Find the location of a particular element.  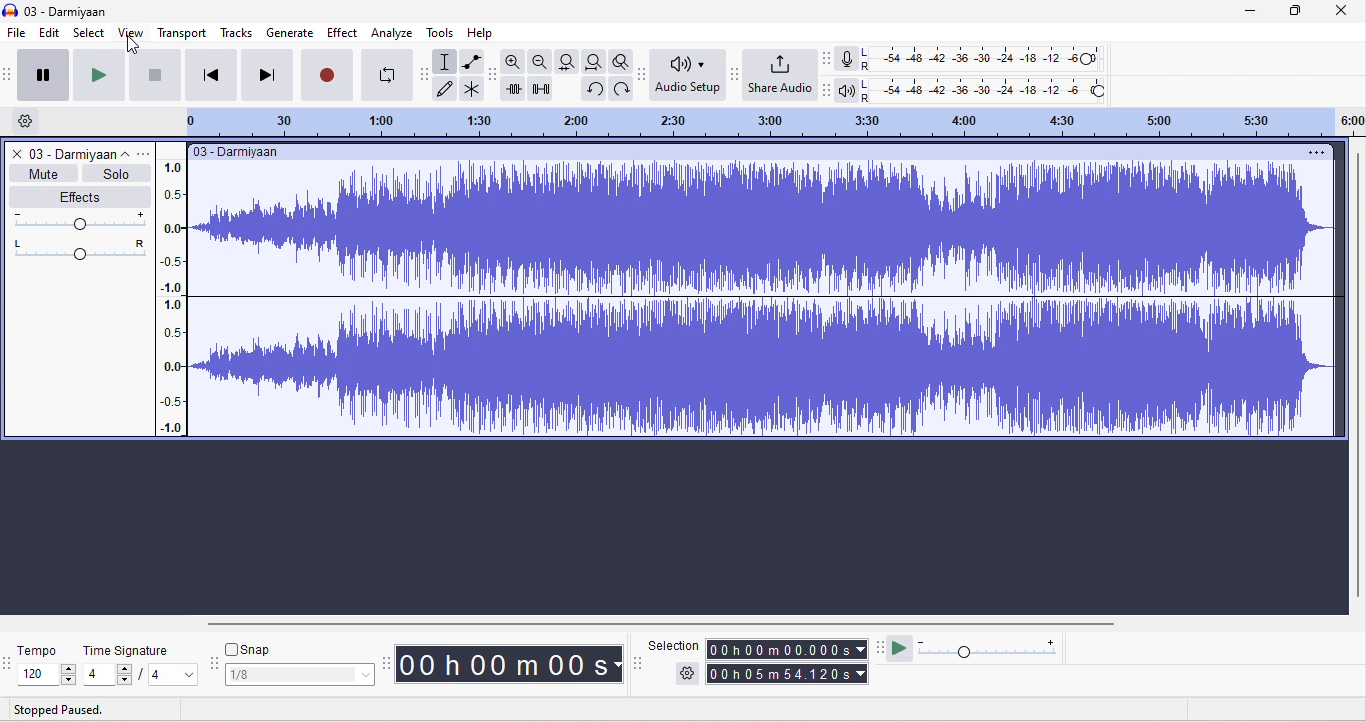

play at speed tool bar is located at coordinates (881, 648).